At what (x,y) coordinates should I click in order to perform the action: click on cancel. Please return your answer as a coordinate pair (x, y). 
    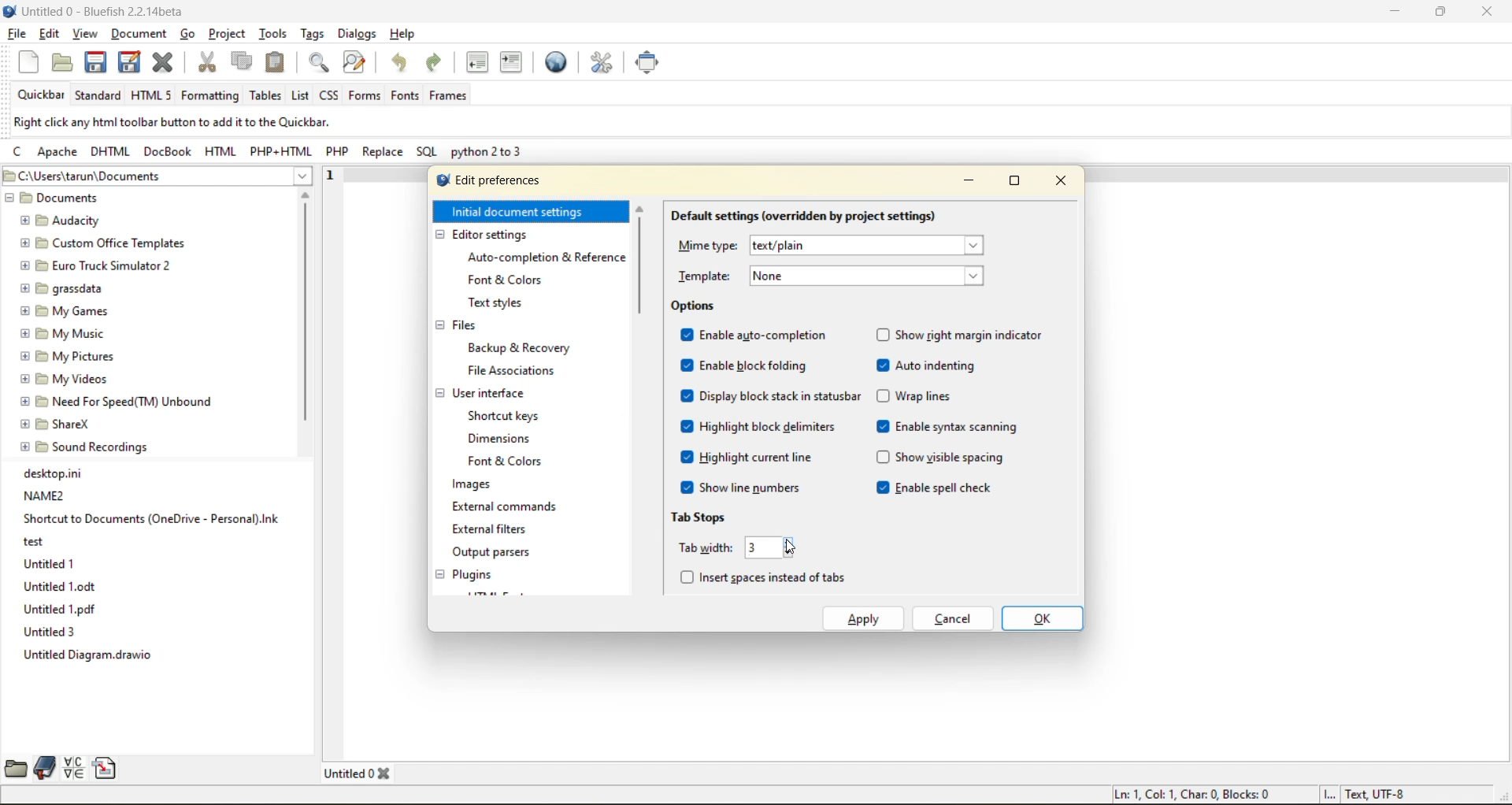
    Looking at the image, I should click on (952, 617).